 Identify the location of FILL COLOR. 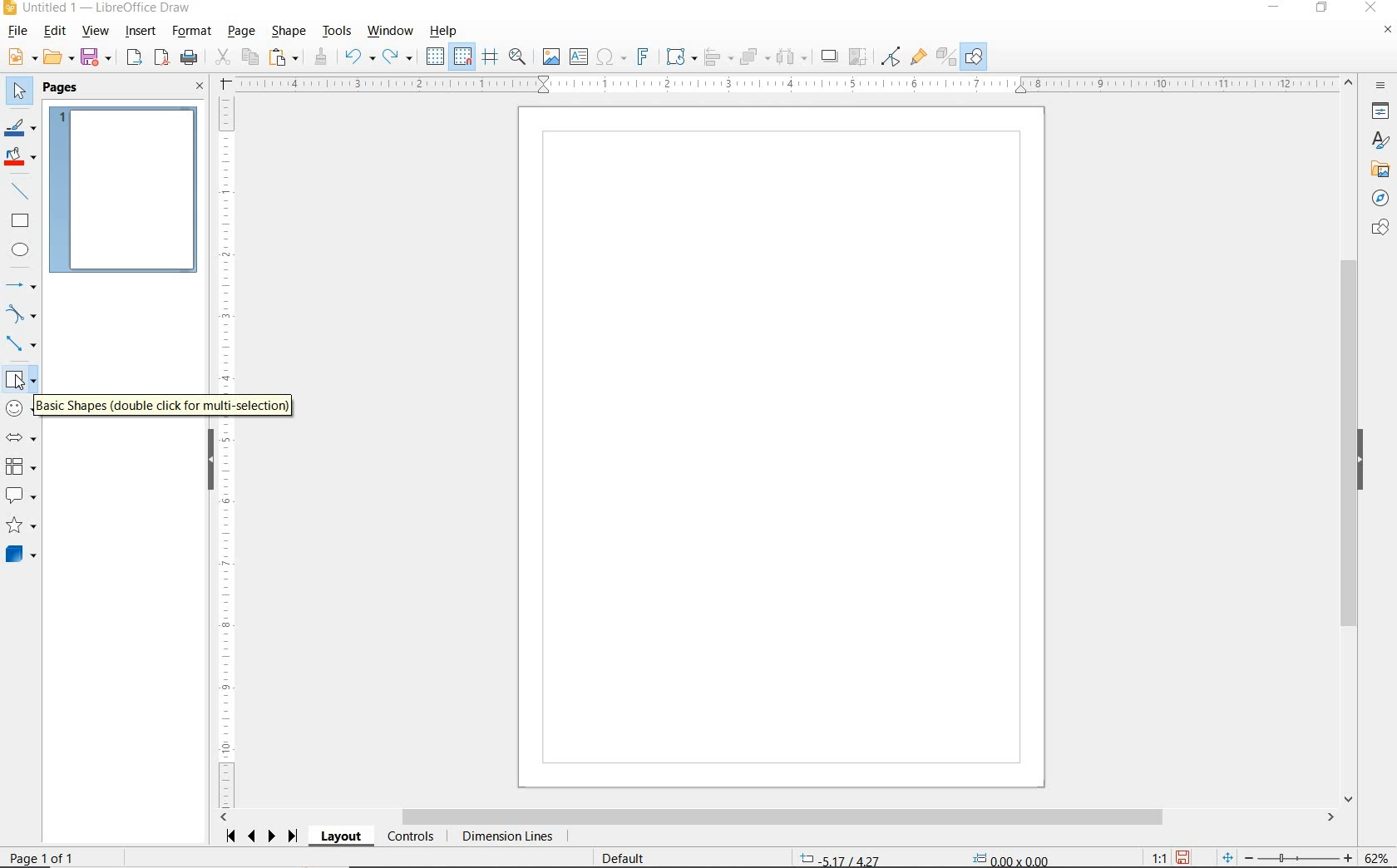
(22, 159).